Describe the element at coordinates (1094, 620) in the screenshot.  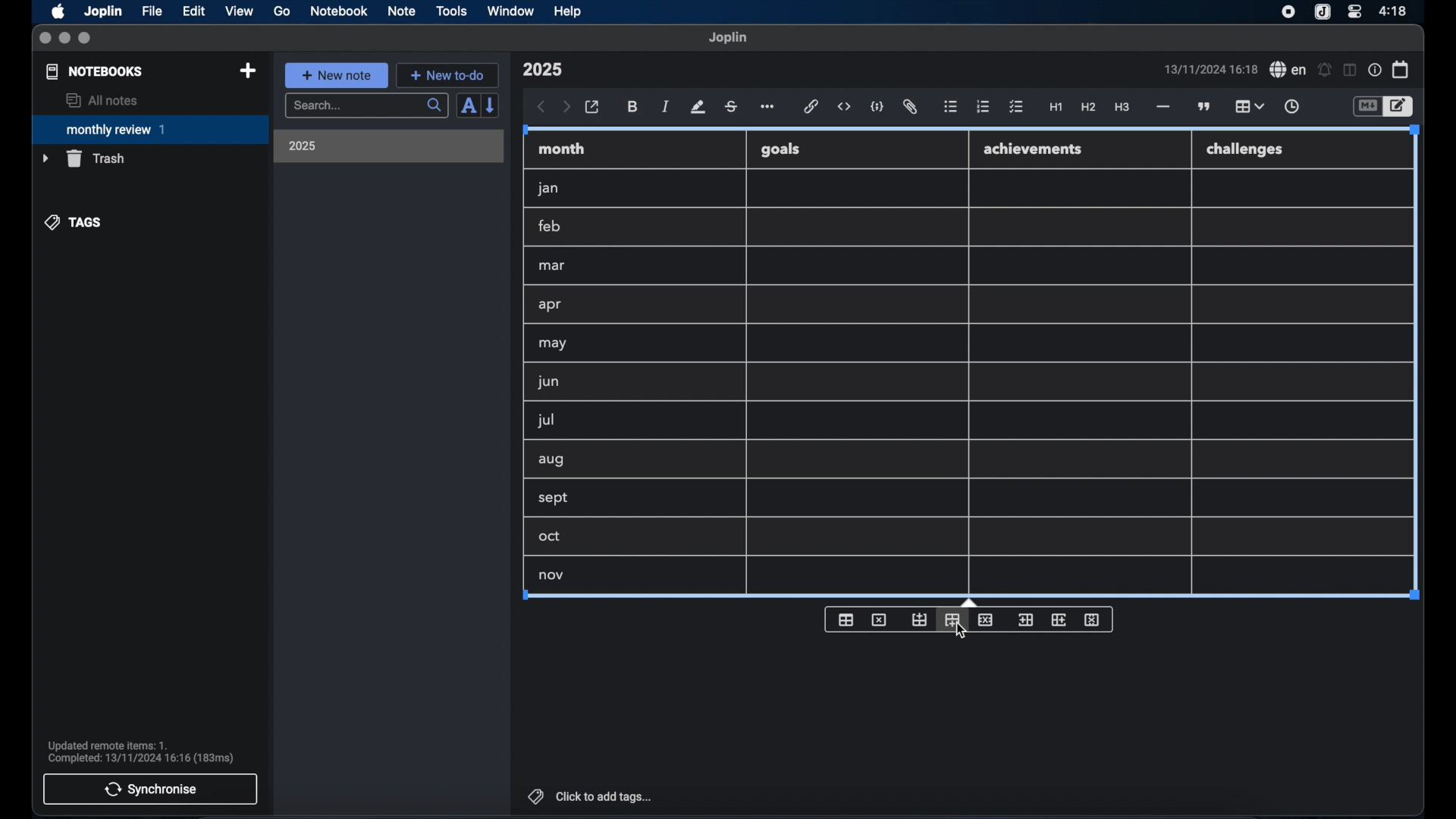
I see `delete column` at that location.